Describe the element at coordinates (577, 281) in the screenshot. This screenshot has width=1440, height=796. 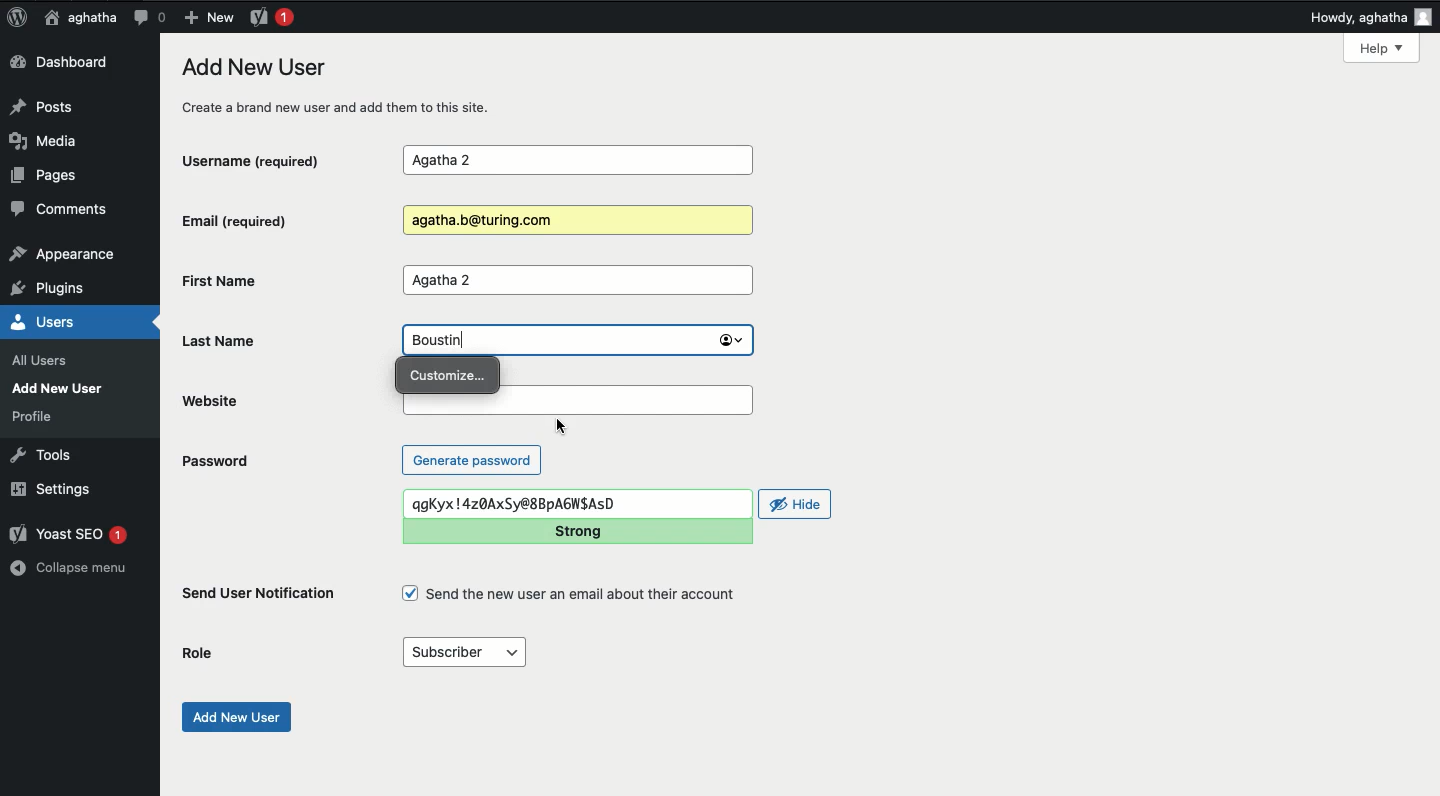
I see `Agatha 2` at that location.